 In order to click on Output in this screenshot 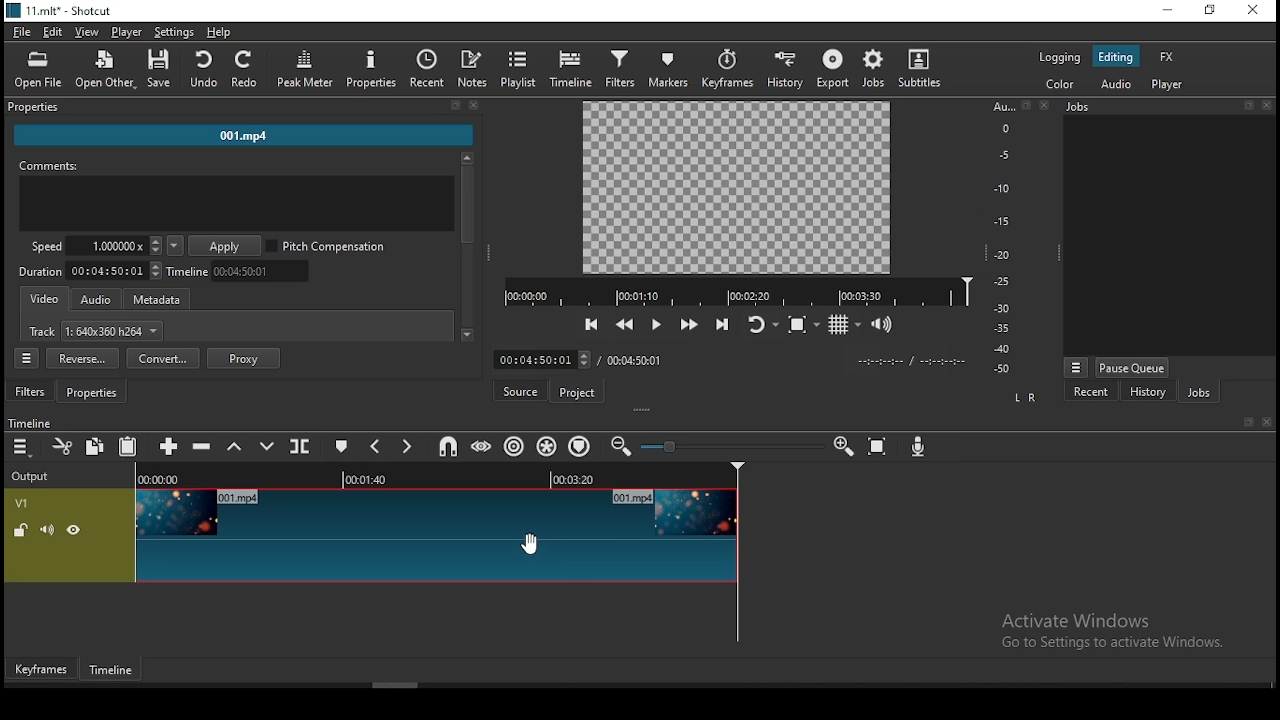, I will do `click(36, 475)`.